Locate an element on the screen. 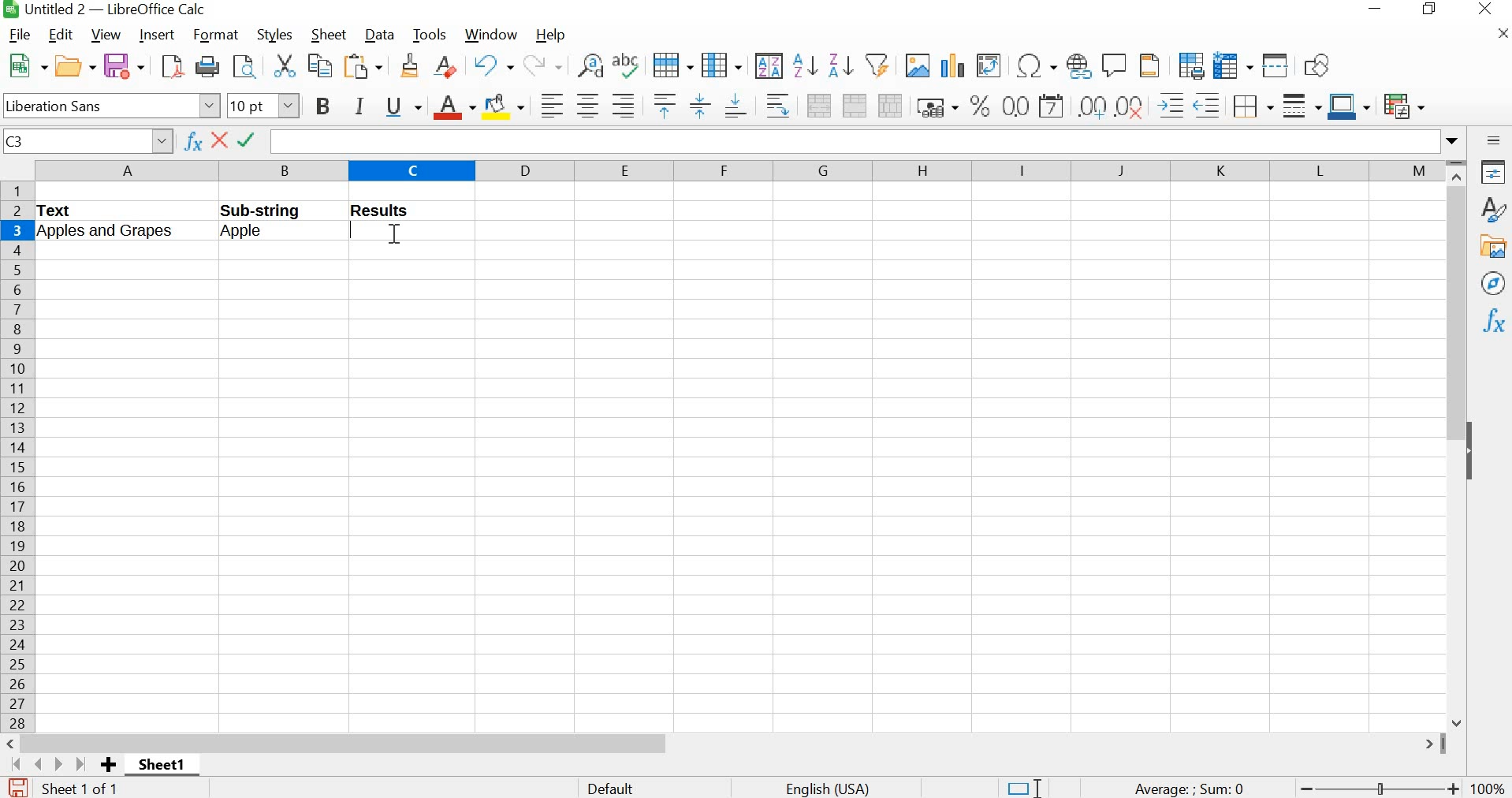  insert is located at coordinates (158, 35).